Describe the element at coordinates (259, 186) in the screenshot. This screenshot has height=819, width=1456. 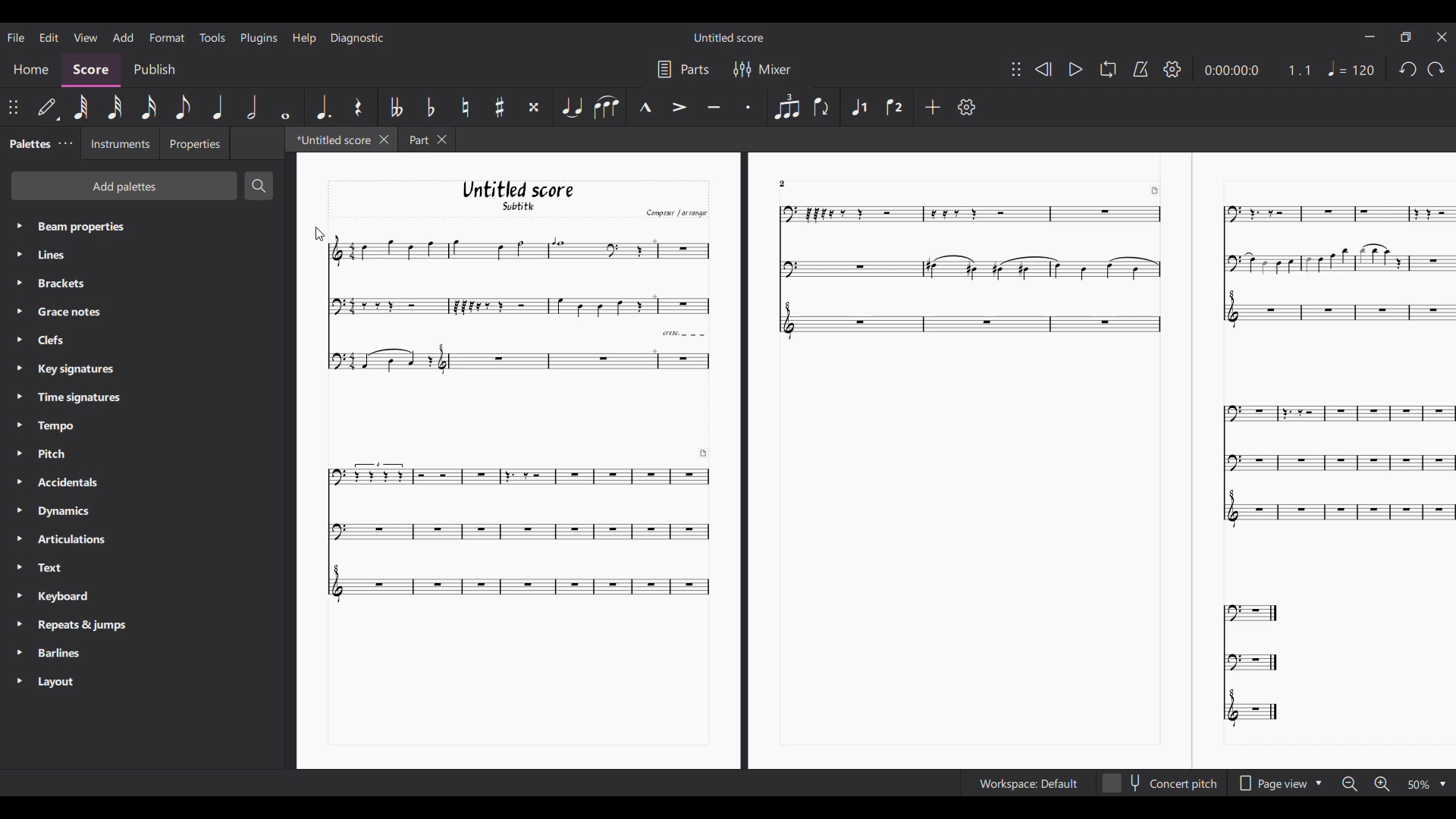
I see `Search` at that location.